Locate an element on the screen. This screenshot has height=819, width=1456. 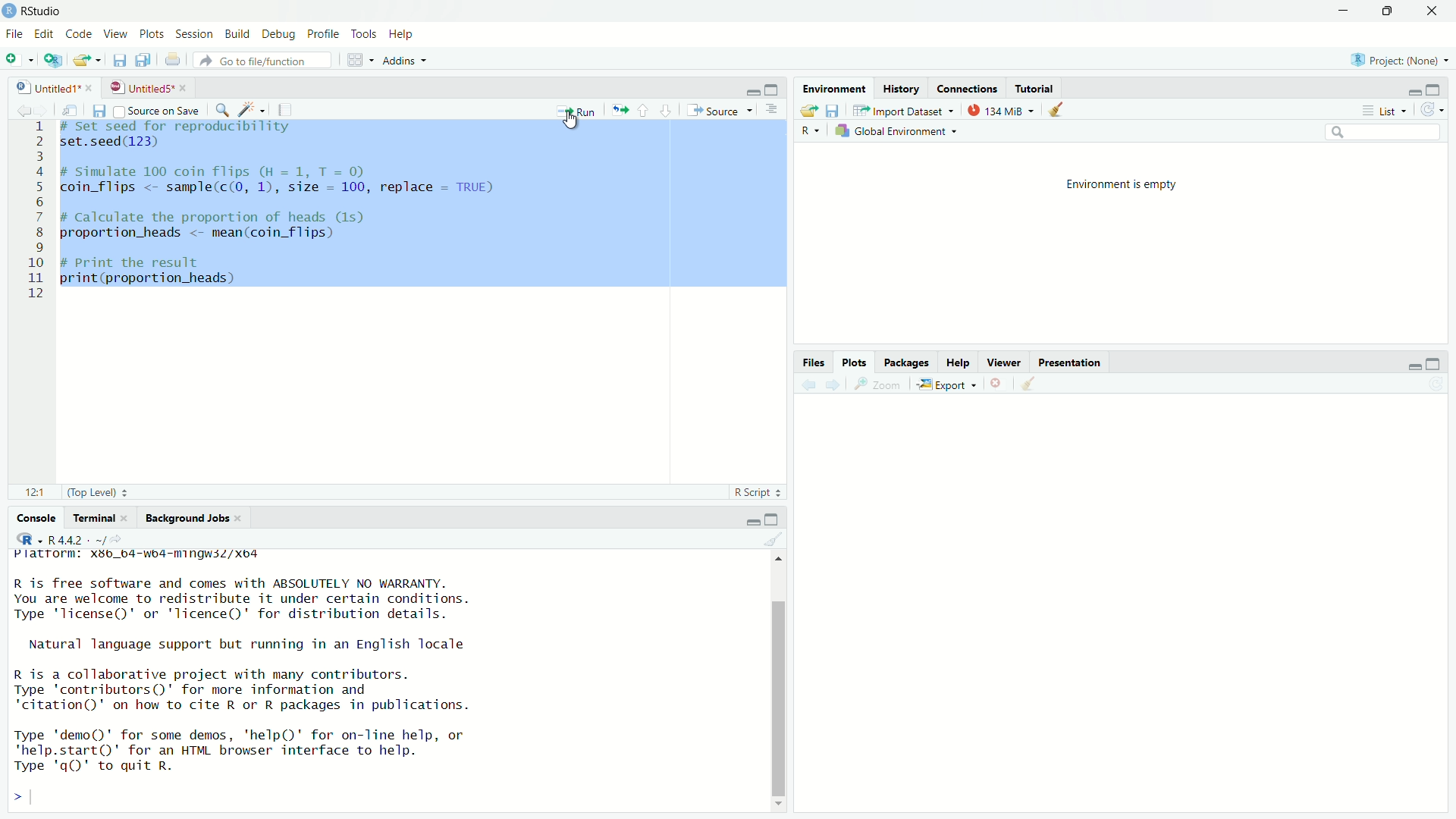
source is located at coordinates (722, 111).